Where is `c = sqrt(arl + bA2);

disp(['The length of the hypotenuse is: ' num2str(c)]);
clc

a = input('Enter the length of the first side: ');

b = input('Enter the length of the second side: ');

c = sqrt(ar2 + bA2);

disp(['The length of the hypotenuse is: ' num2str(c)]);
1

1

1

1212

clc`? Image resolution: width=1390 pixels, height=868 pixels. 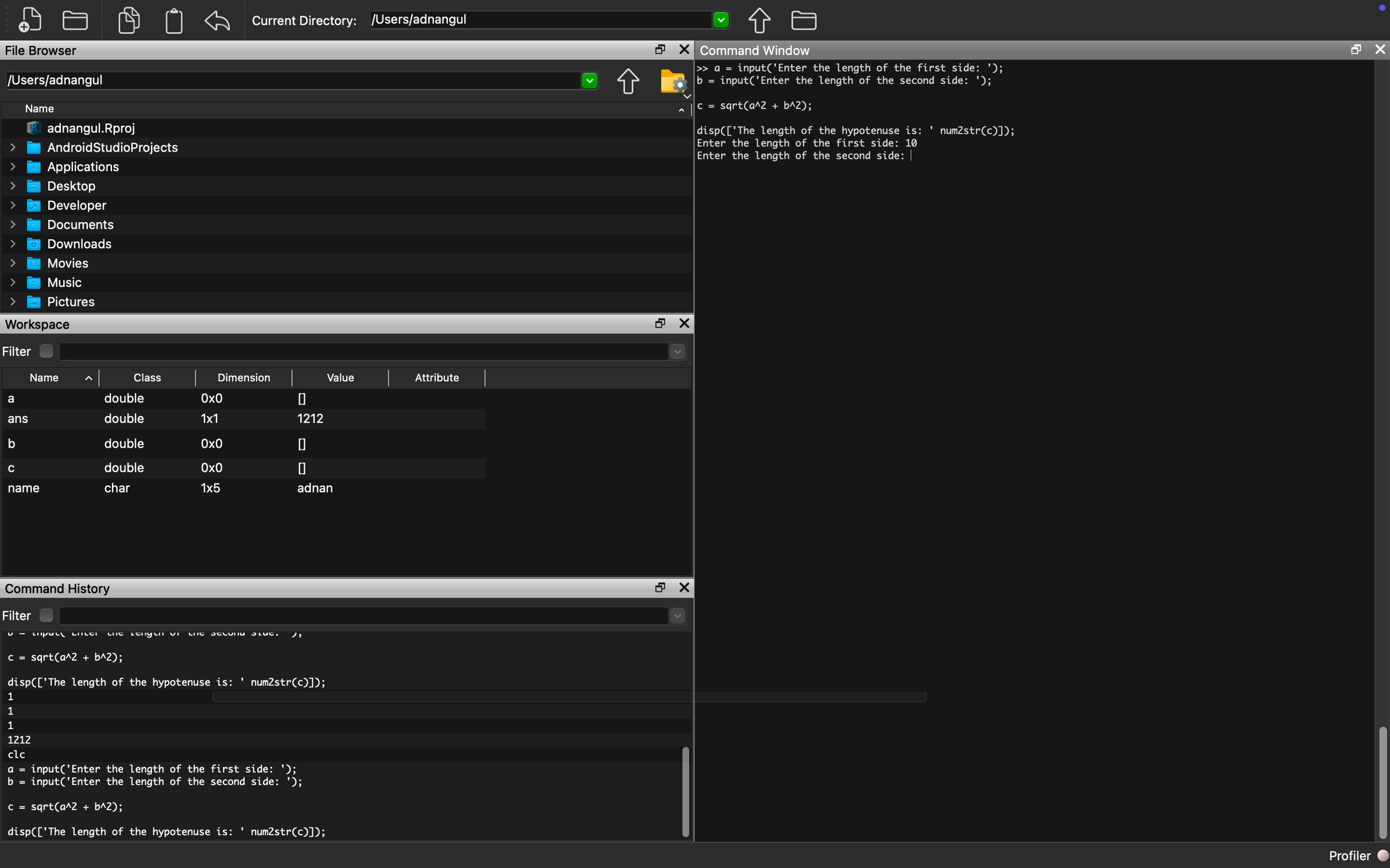 c = sqrt(arl + bA2);

disp(['The length of the hypotenuse is: ' num2str(c)]);
clc

a = input('Enter the length of the first side: ');

b = input('Enter the length of the second side: ');

c = sqrt(ar2 + bA2);

disp(['The length of the hypotenuse is: ' num2str(c)]);
1

1

1

1212

clc is located at coordinates (192, 739).